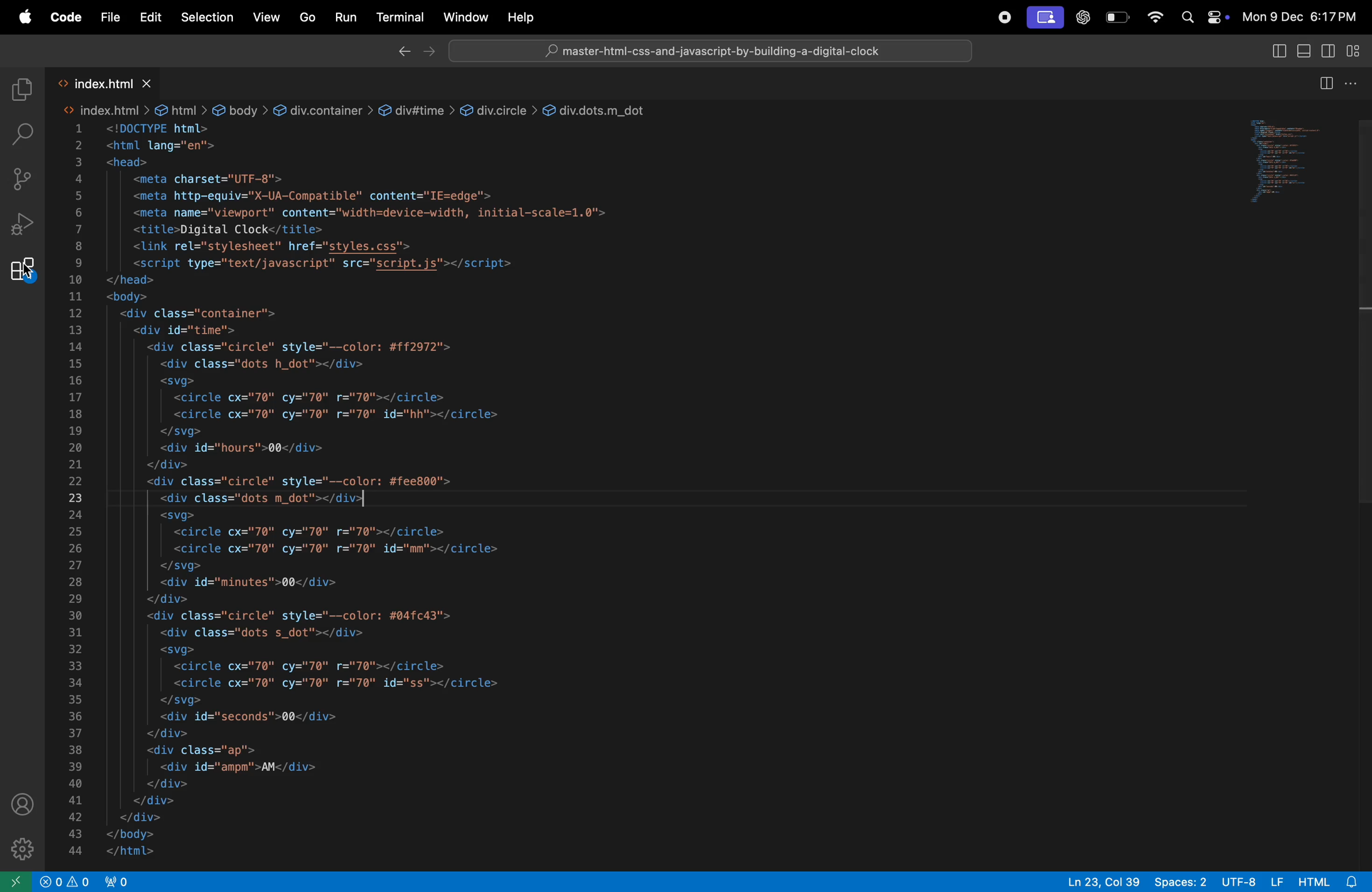 Image resolution: width=1372 pixels, height=892 pixels. I want to click on battery, so click(1117, 17).